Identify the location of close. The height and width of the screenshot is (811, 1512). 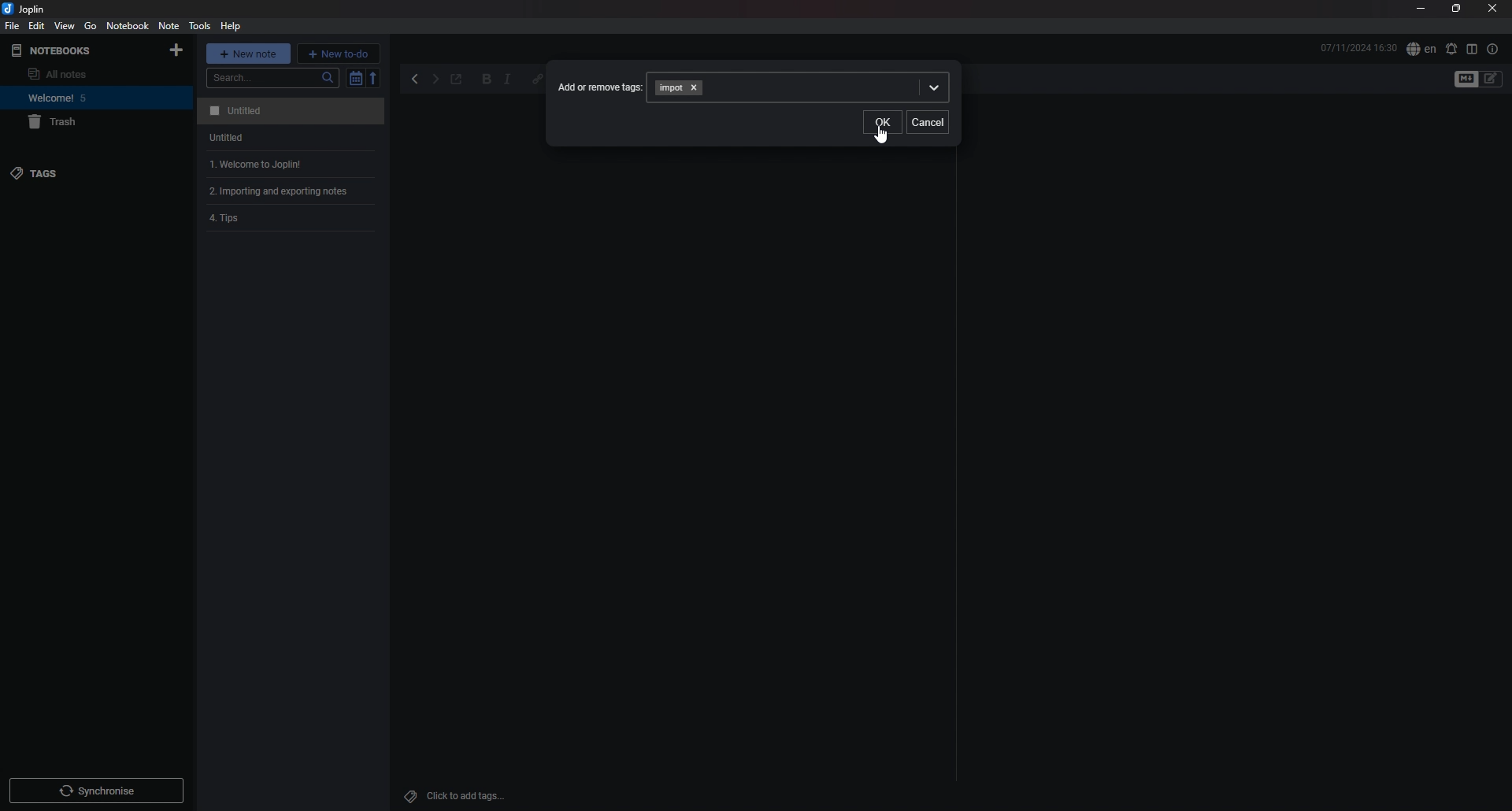
(1492, 9).